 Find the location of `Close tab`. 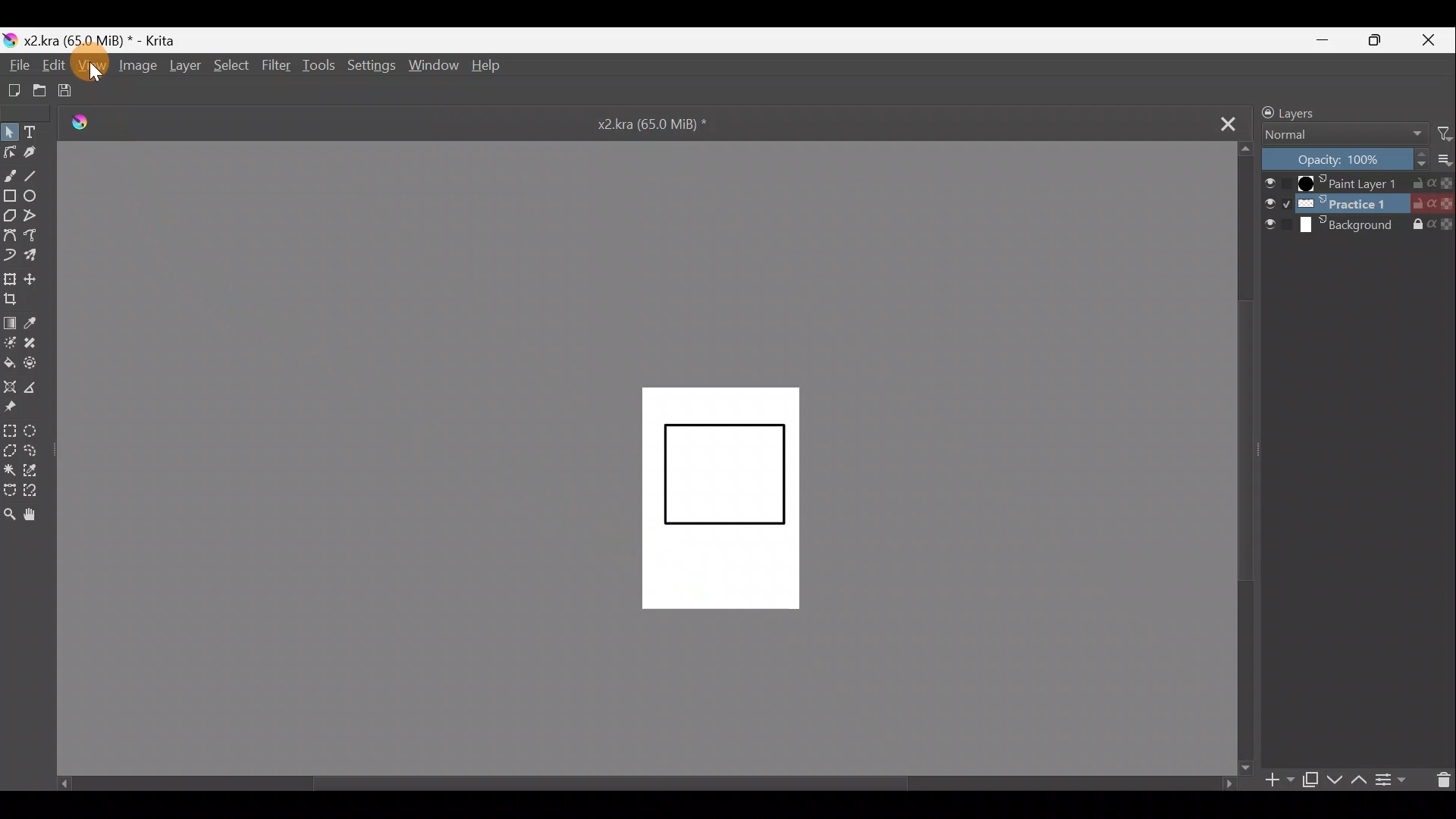

Close tab is located at coordinates (1225, 122).